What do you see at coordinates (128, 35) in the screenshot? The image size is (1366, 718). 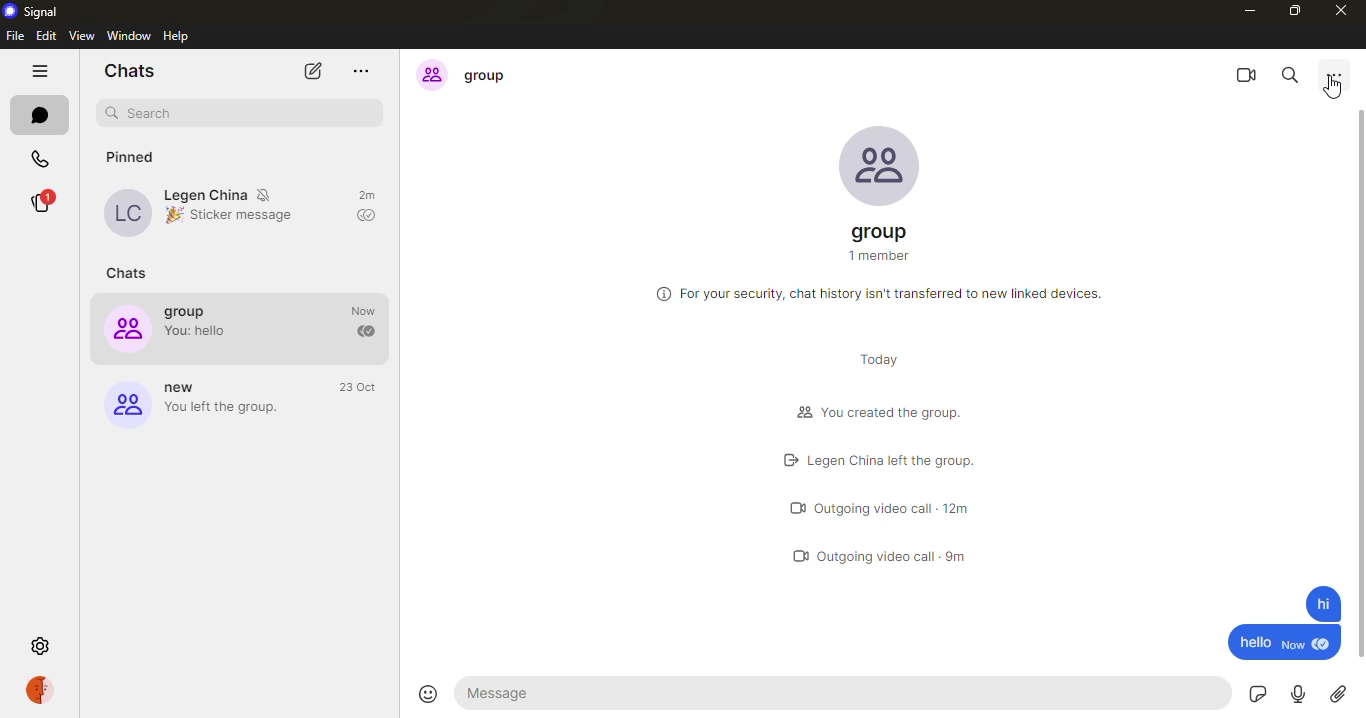 I see `window` at bounding box center [128, 35].